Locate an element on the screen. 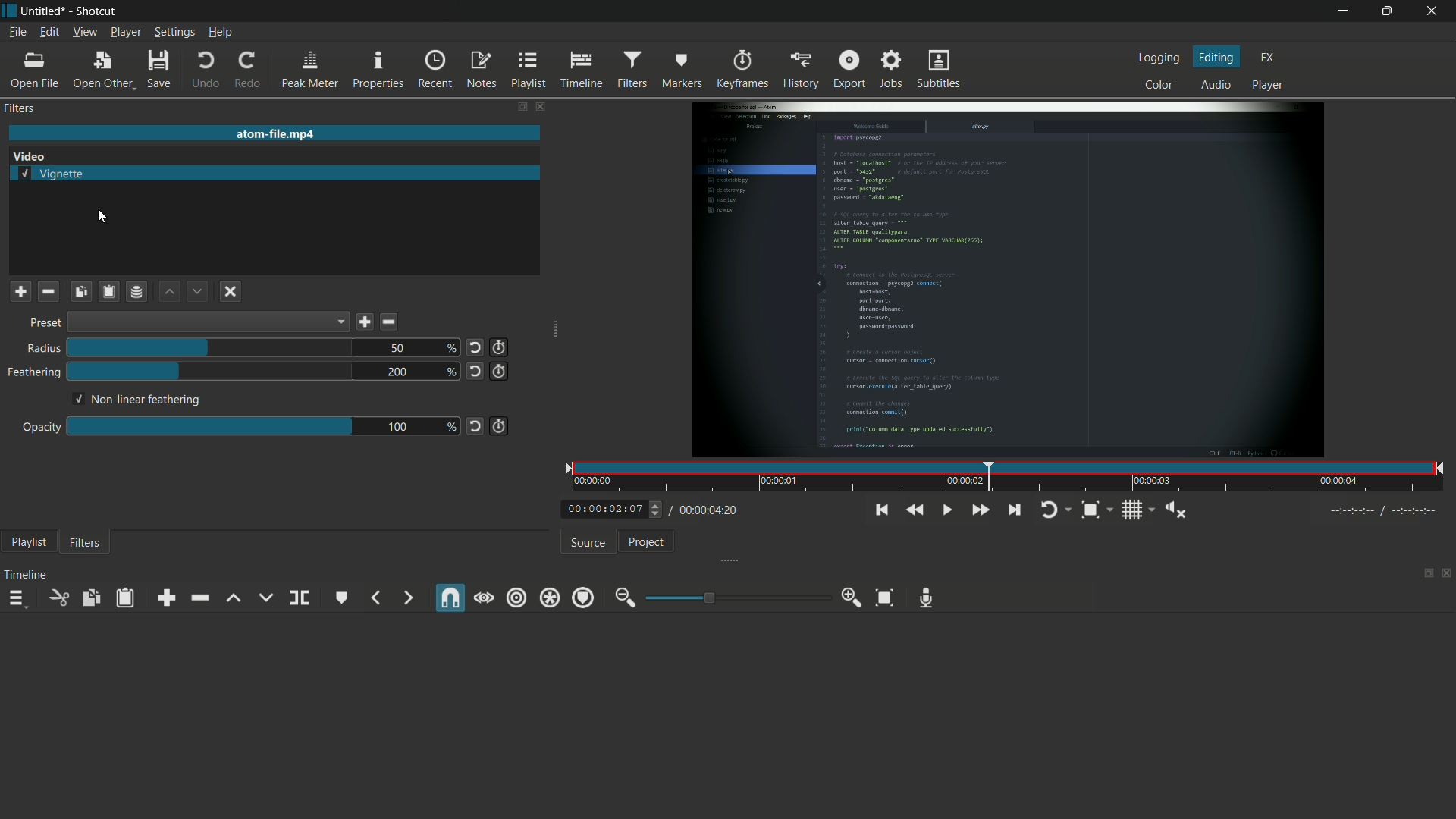 The width and height of the screenshot is (1456, 819). logging is located at coordinates (1161, 57).